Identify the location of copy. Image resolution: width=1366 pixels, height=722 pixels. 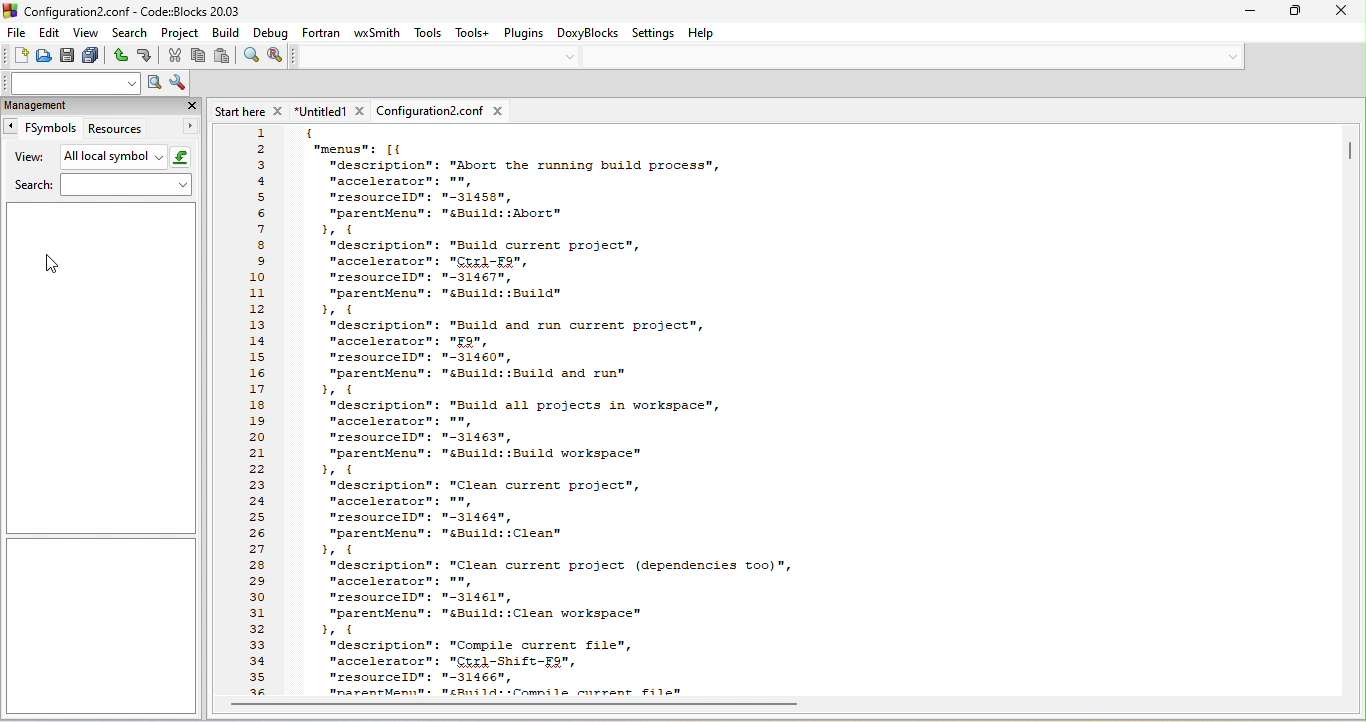
(200, 57).